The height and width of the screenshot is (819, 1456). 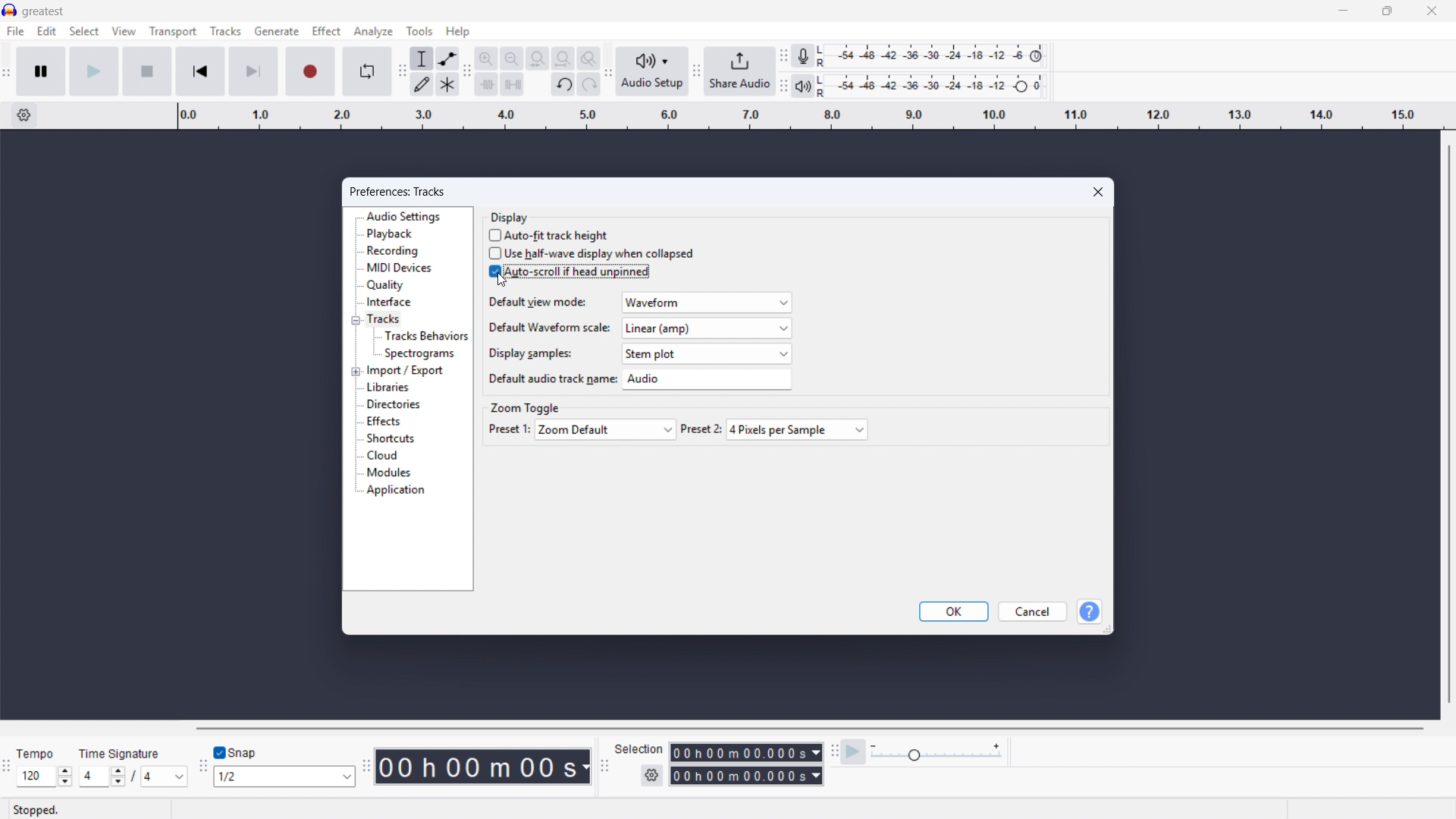 I want to click on Collapse , so click(x=356, y=320).